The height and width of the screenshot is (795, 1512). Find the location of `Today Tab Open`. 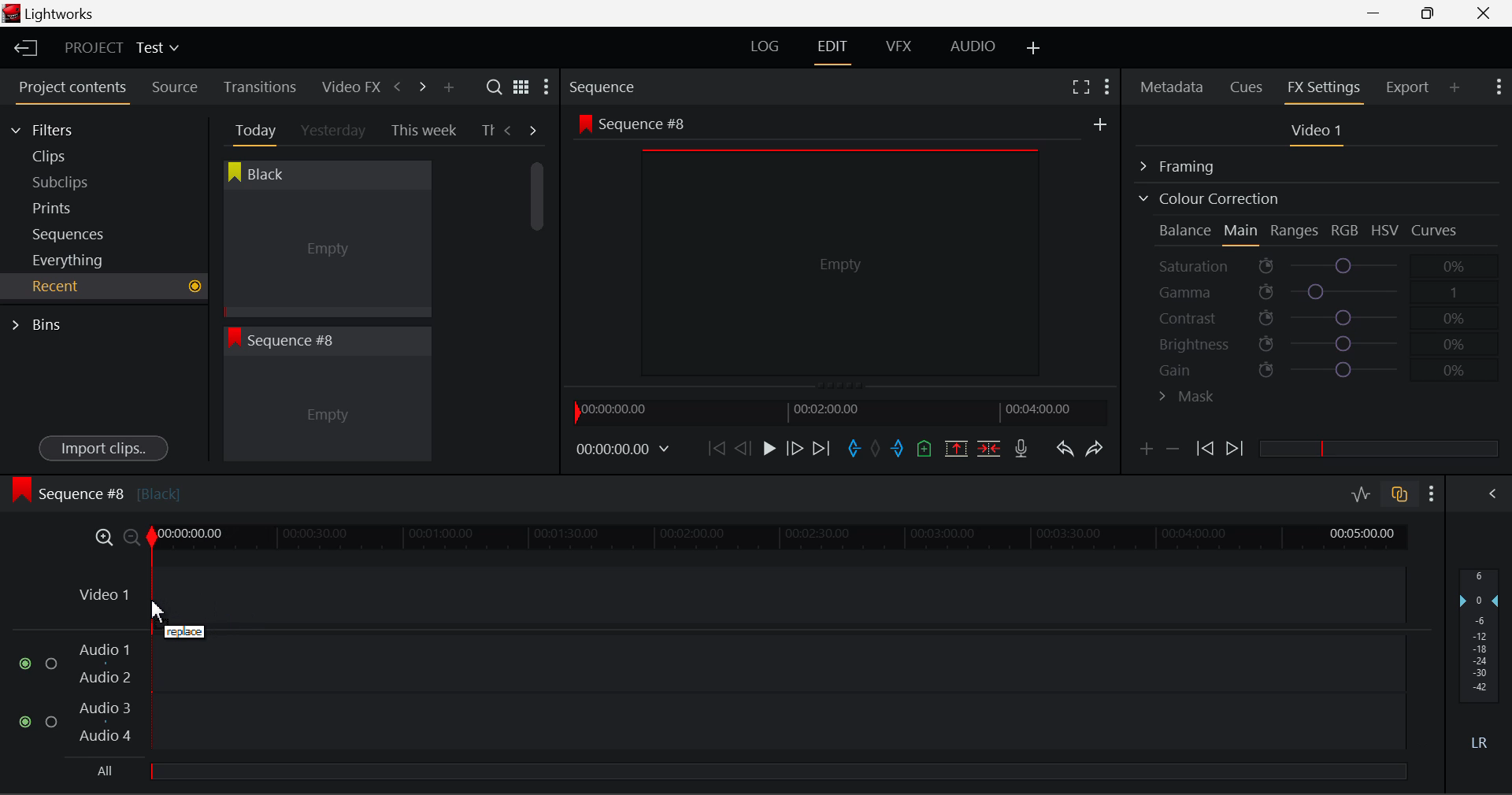

Today Tab Open is located at coordinates (252, 130).